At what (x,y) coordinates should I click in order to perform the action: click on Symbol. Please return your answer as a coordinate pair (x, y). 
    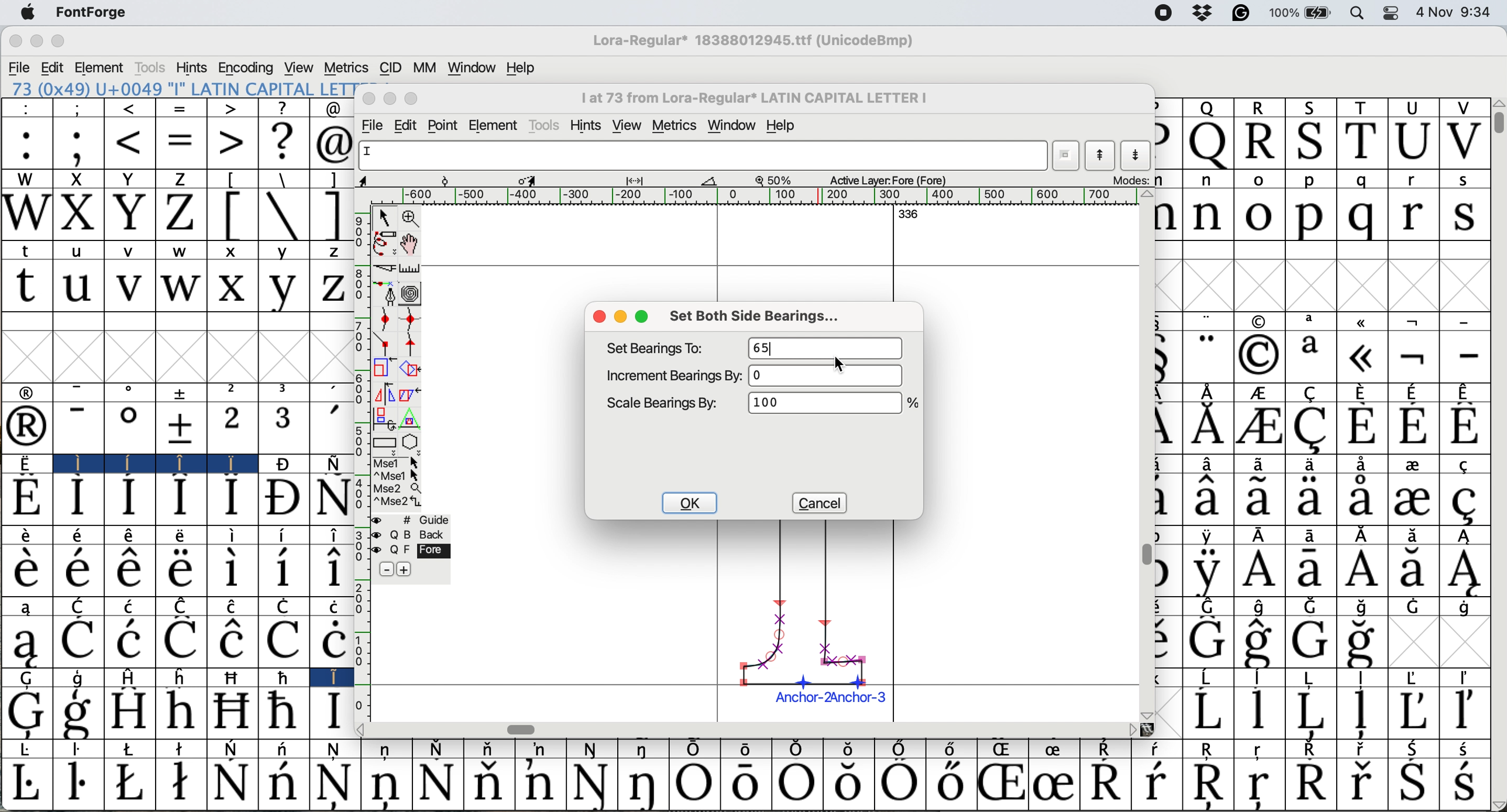
    Looking at the image, I should click on (1158, 750).